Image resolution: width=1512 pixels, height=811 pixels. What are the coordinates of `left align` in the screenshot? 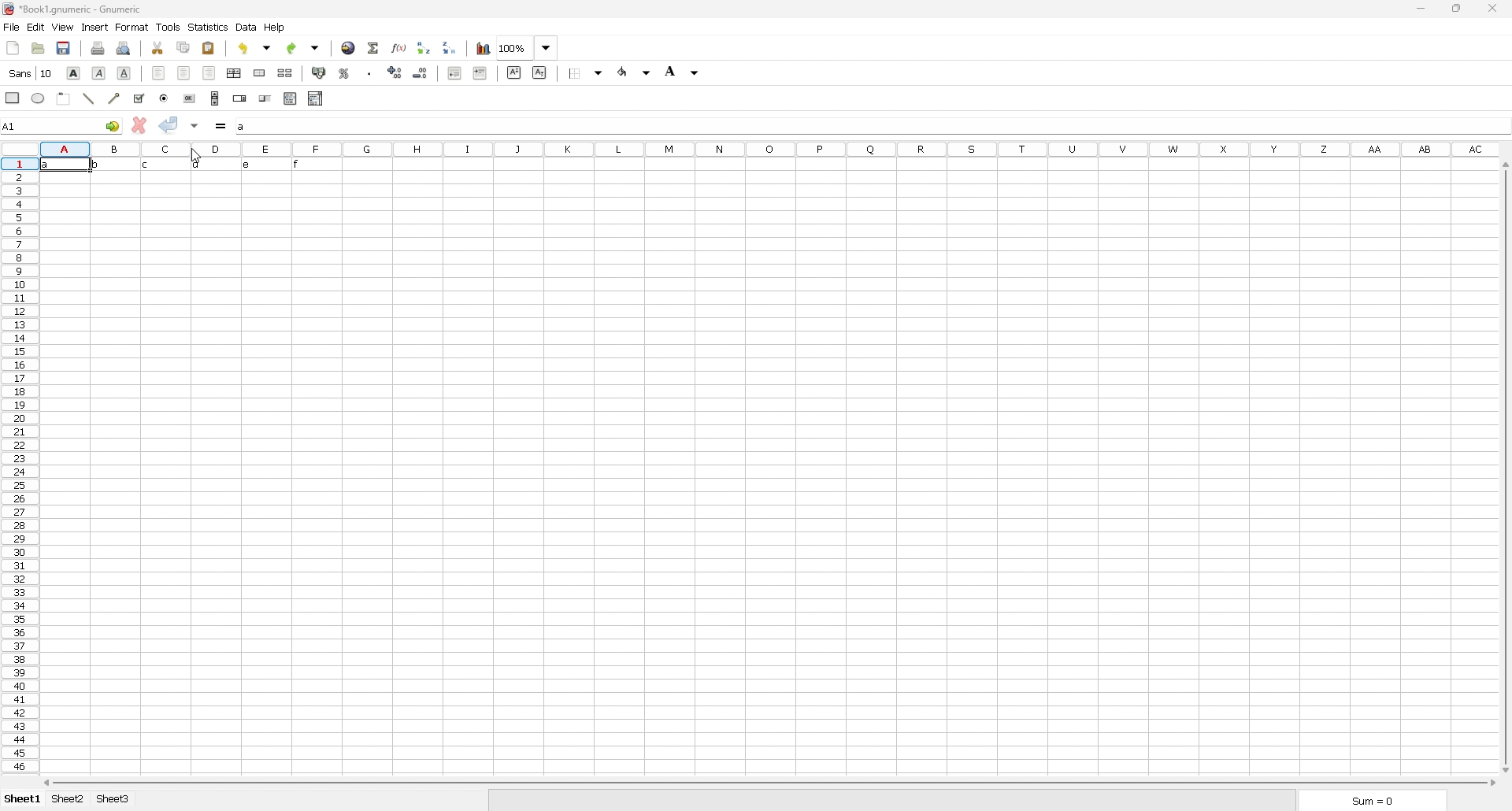 It's located at (159, 72).